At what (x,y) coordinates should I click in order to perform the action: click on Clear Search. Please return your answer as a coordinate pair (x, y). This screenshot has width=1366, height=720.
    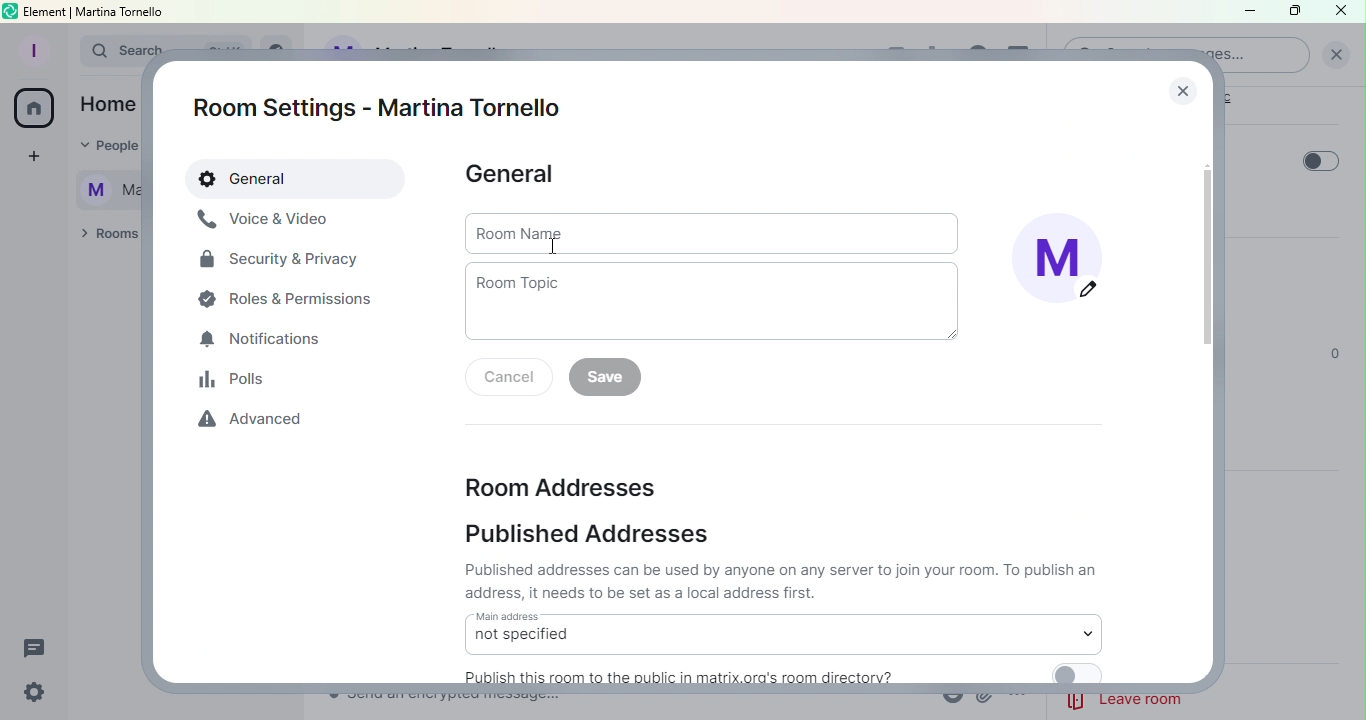
    Looking at the image, I should click on (1336, 55).